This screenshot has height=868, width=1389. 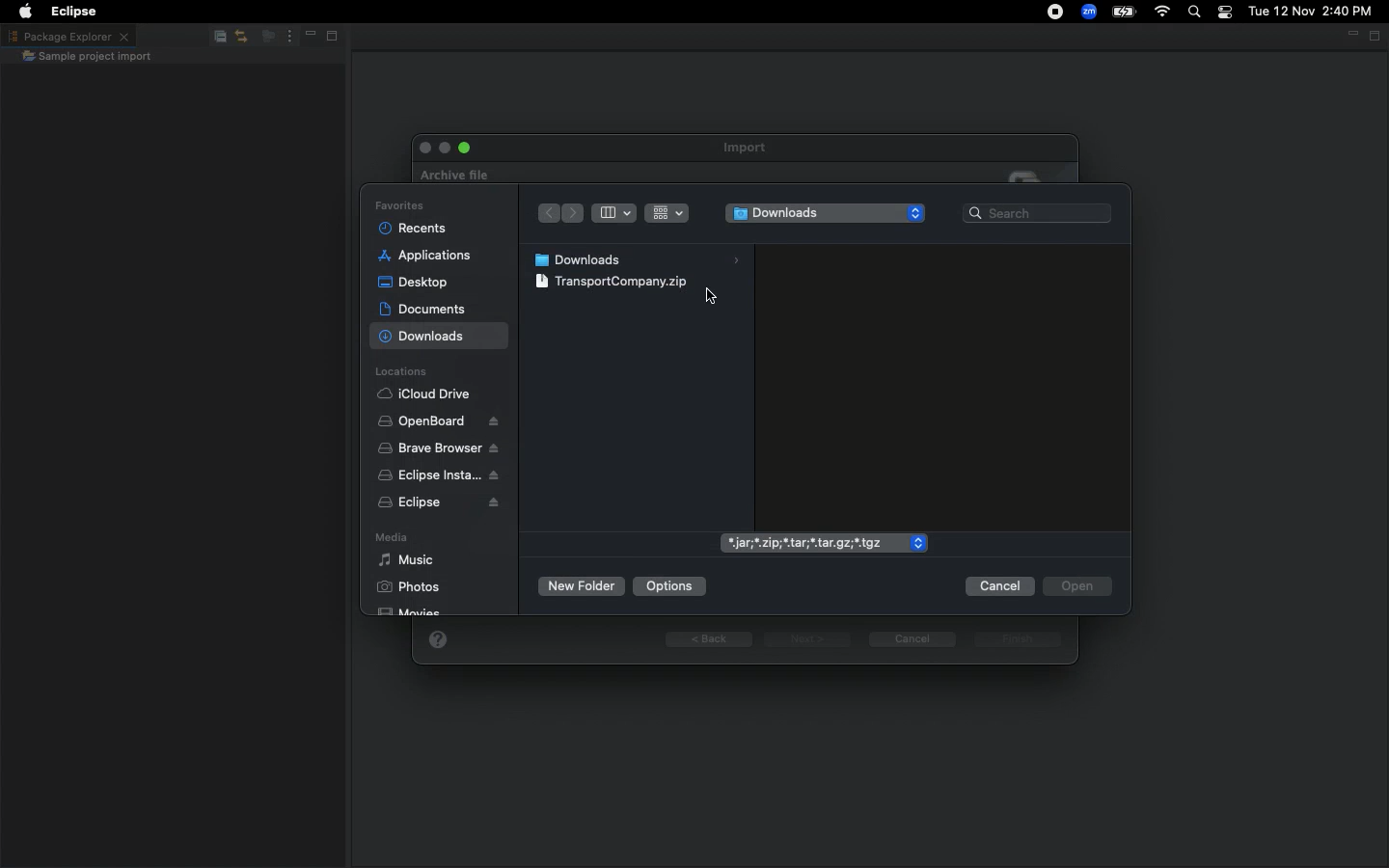 What do you see at coordinates (614, 281) in the screenshot?
I see `TransportCompany.zip` at bounding box center [614, 281].